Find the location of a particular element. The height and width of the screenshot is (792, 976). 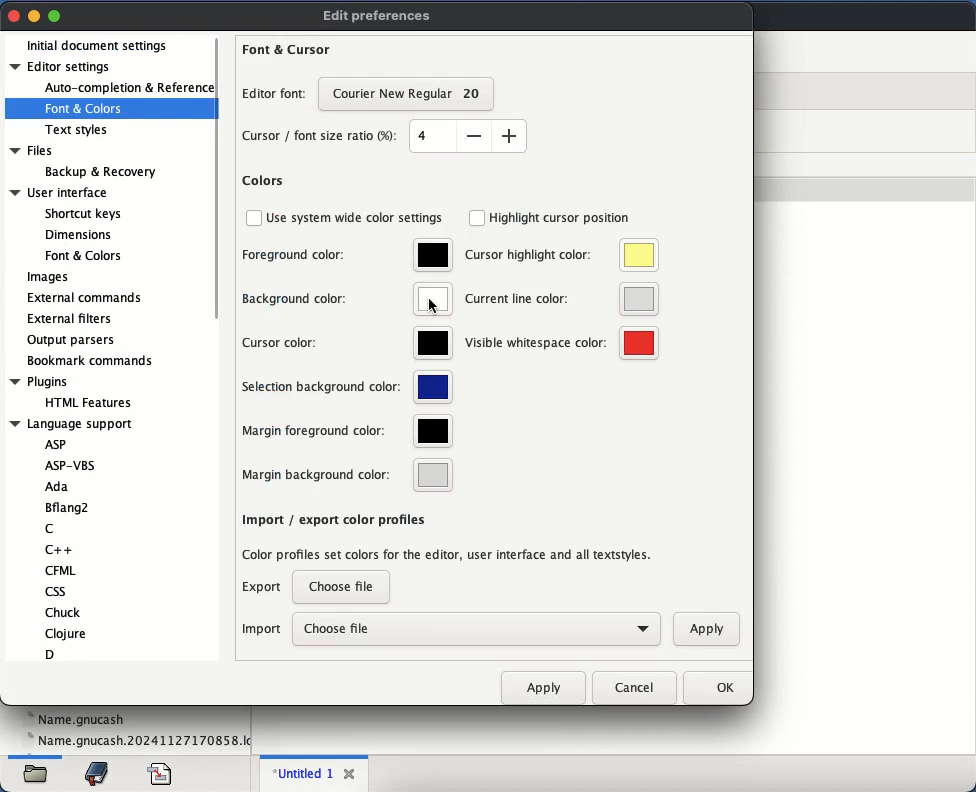

maximize is located at coordinates (55, 17).